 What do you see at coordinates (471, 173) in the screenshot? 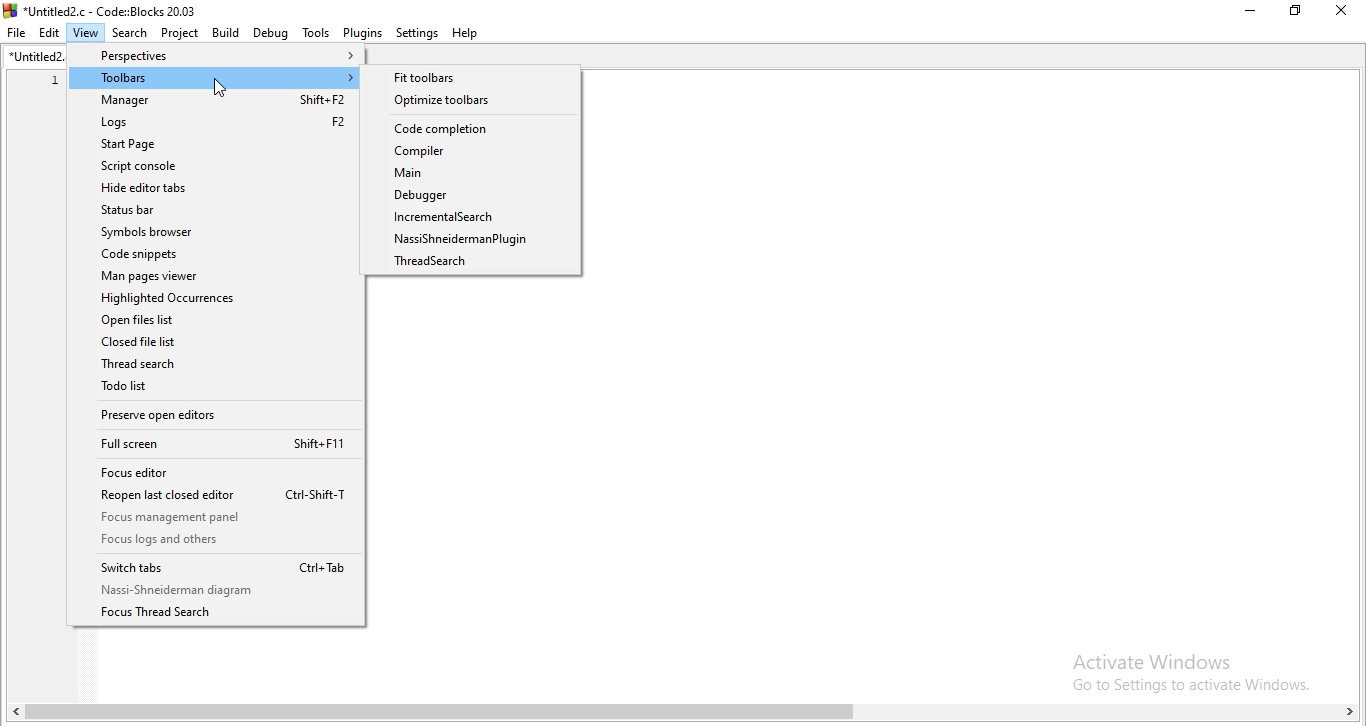
I see `Main` at bounding box center [471, 173].